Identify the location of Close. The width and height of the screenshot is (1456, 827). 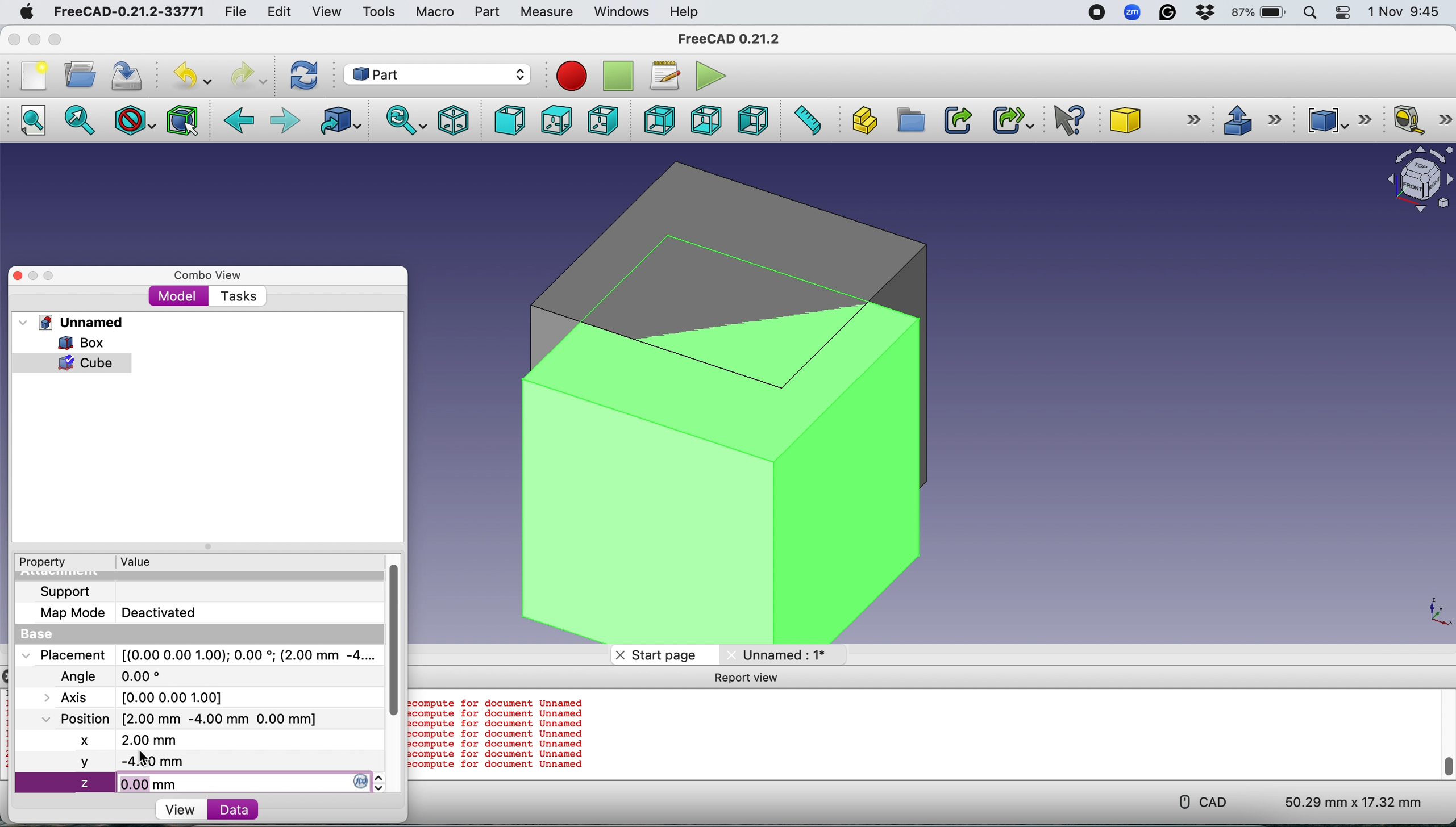
(18, 276).